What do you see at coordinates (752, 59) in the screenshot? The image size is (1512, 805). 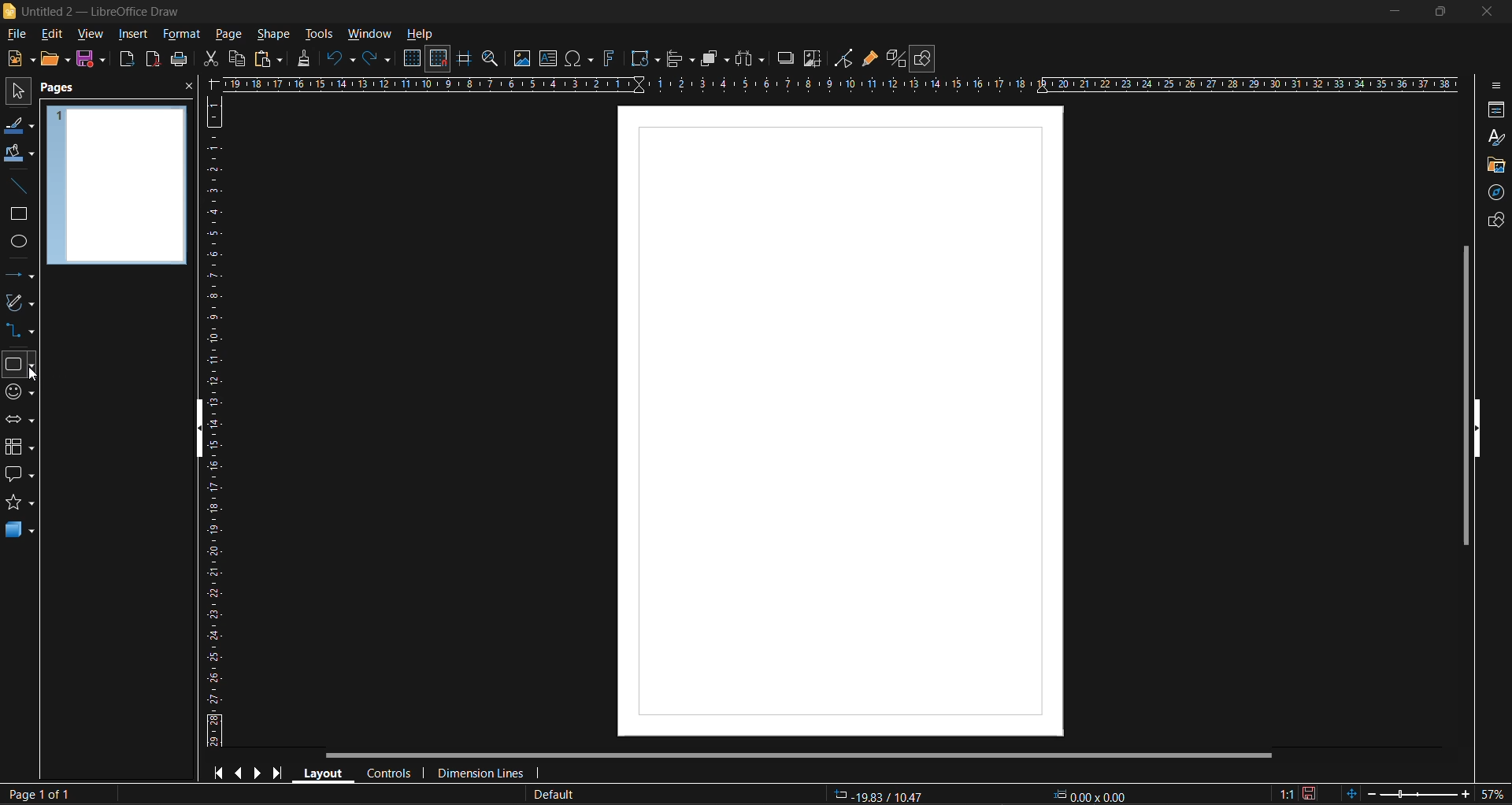 I see `distribute` at bounding box center [752, 59].